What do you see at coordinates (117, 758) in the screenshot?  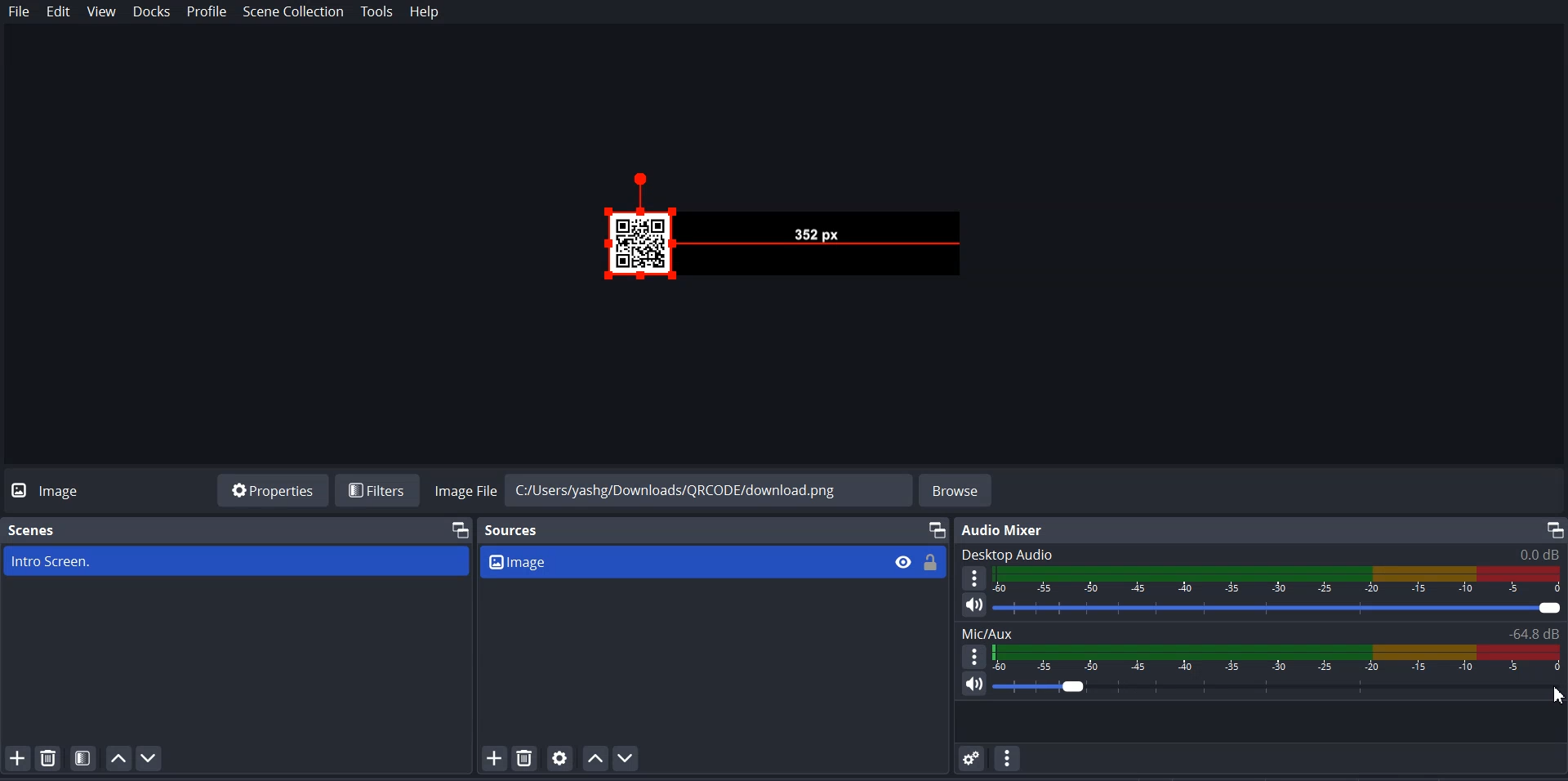 I see `Move scene Up` at bounding box center [117, 758].